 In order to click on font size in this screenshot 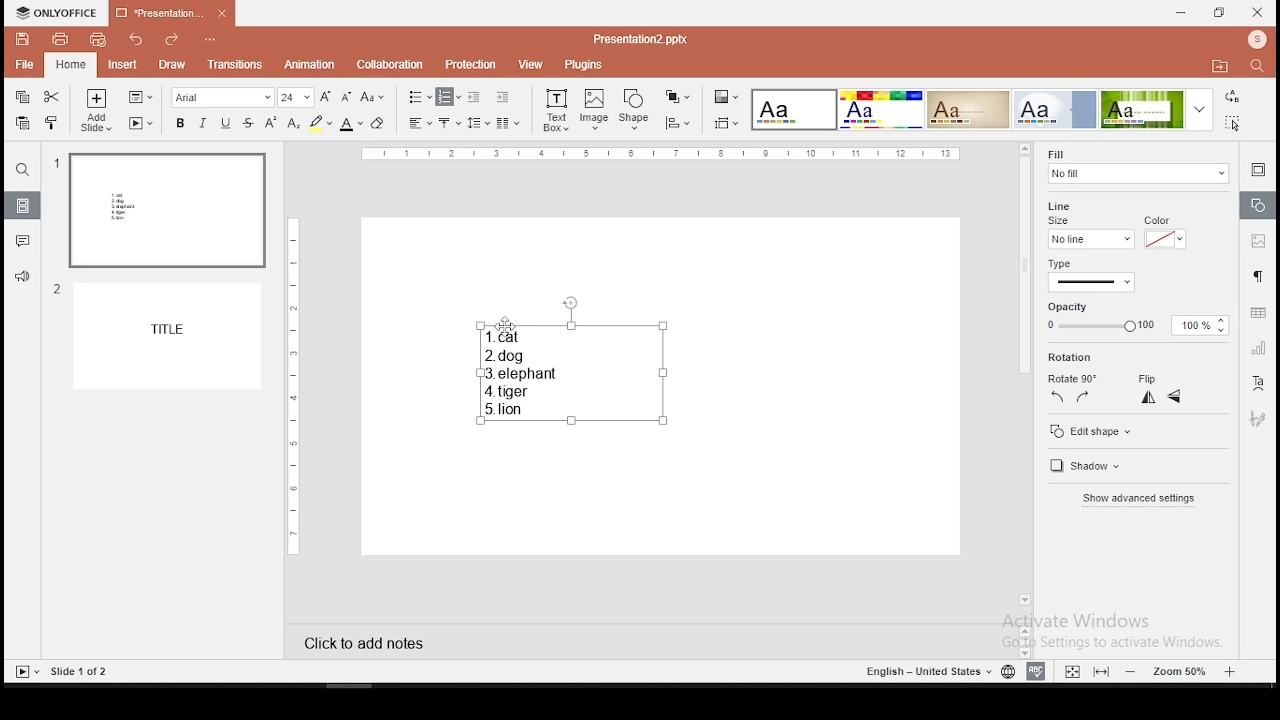, I will do `click(296, 97)`.